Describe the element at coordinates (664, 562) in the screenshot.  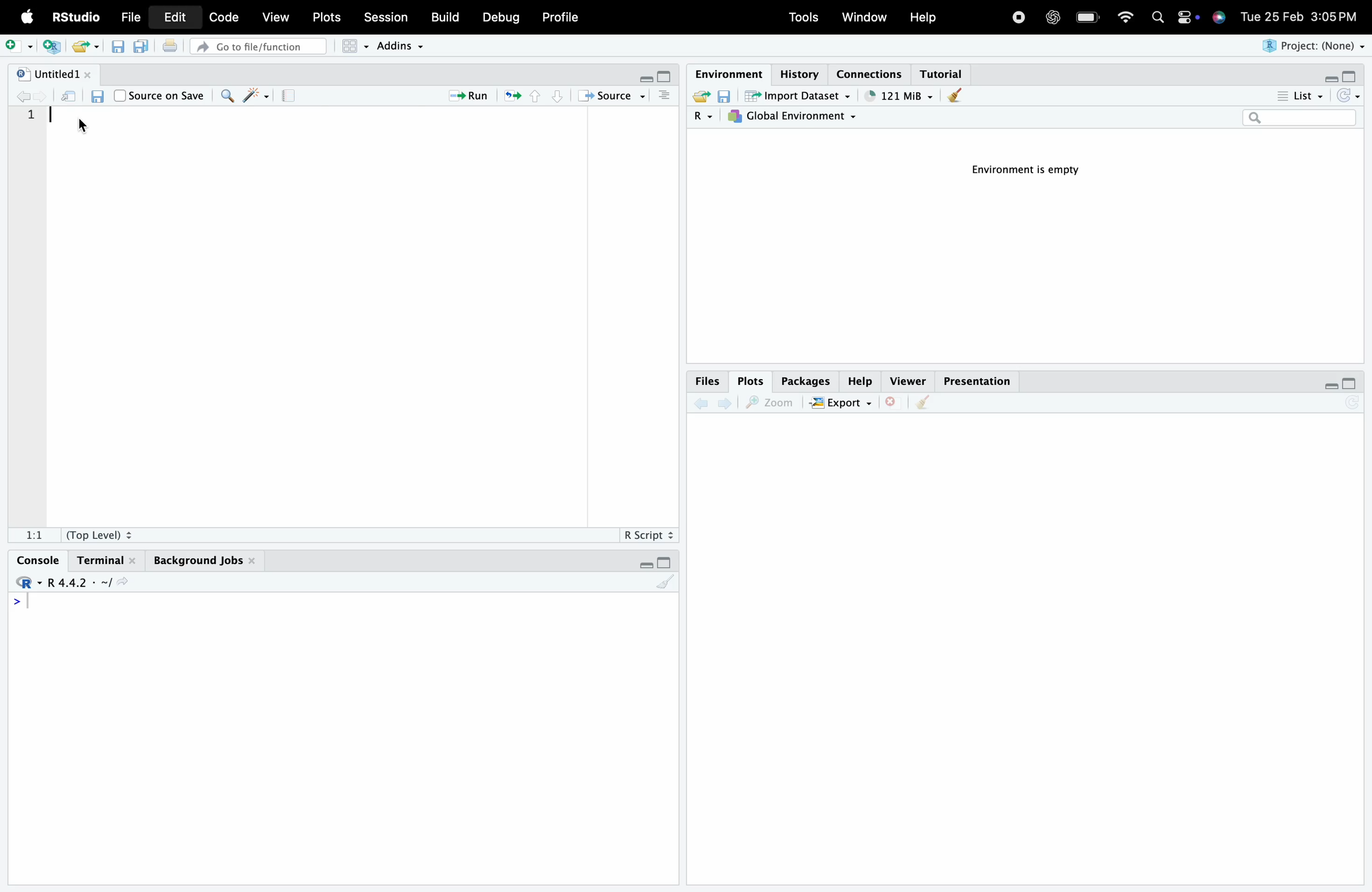
I see `Maximize` at that location.